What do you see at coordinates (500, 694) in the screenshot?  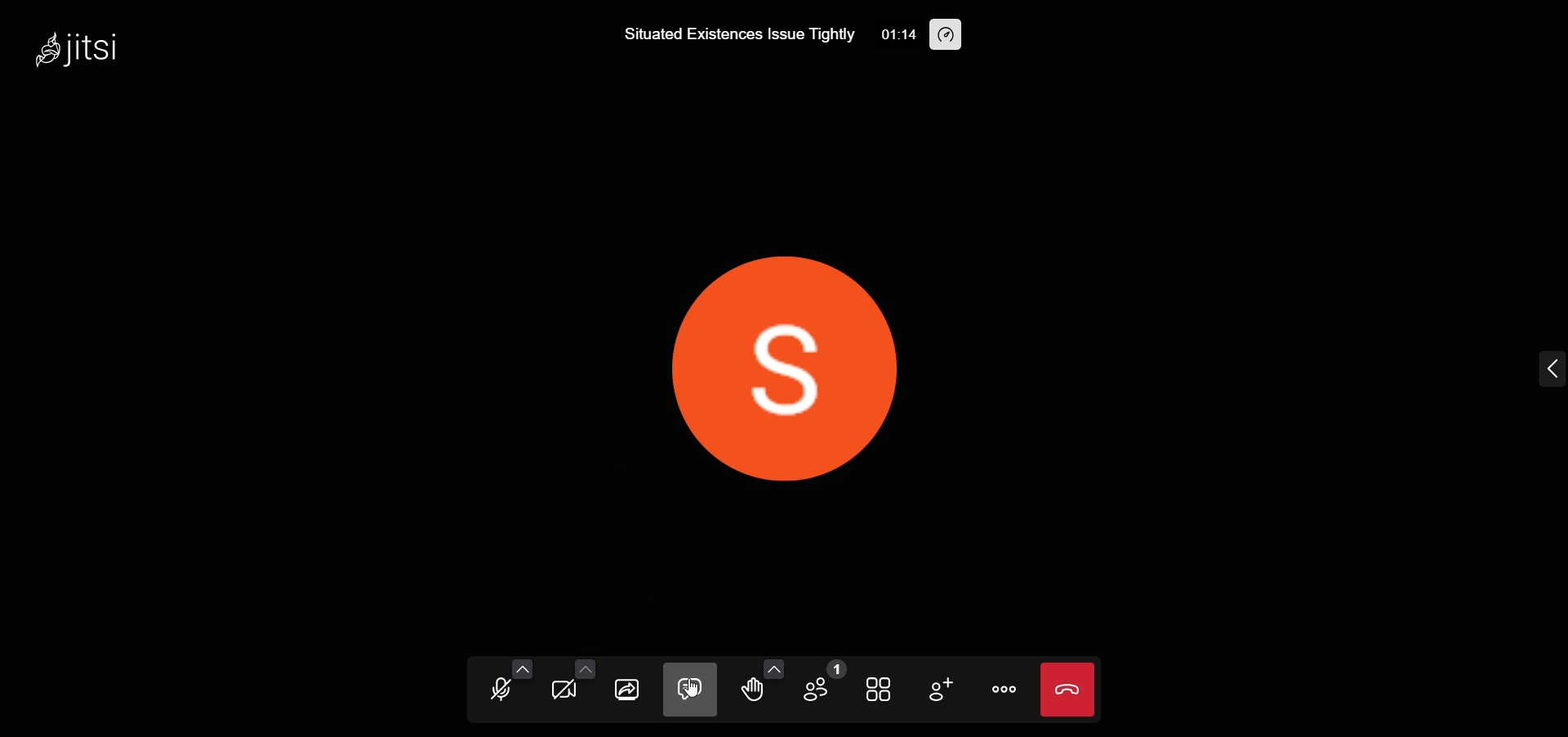 I see `microphone` at bounding box center [500, 694].